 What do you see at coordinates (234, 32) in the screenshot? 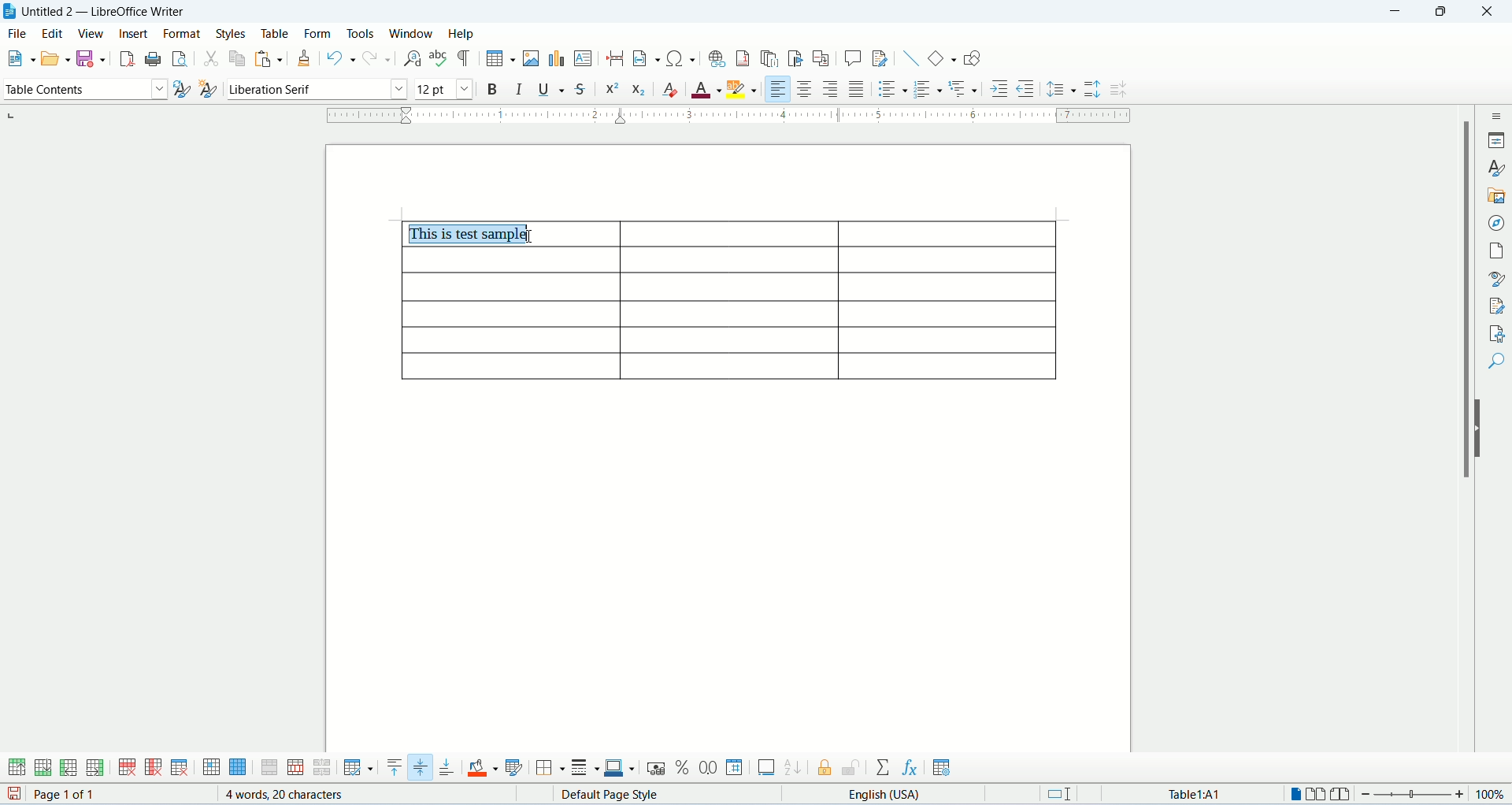
I see `styles` at bounding box center [234, 32].